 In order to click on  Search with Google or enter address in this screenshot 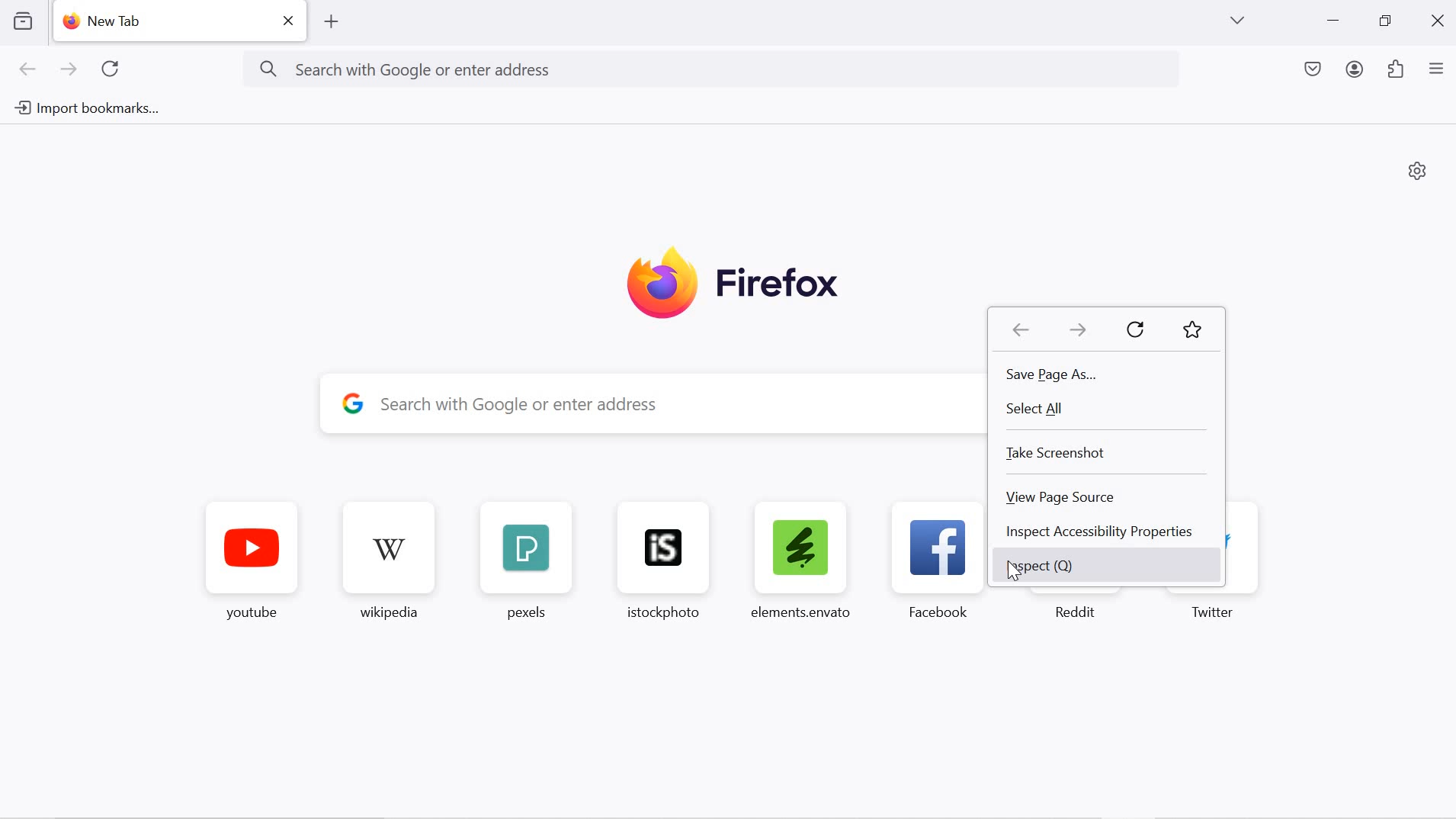, I will do `click(699, 70)`.